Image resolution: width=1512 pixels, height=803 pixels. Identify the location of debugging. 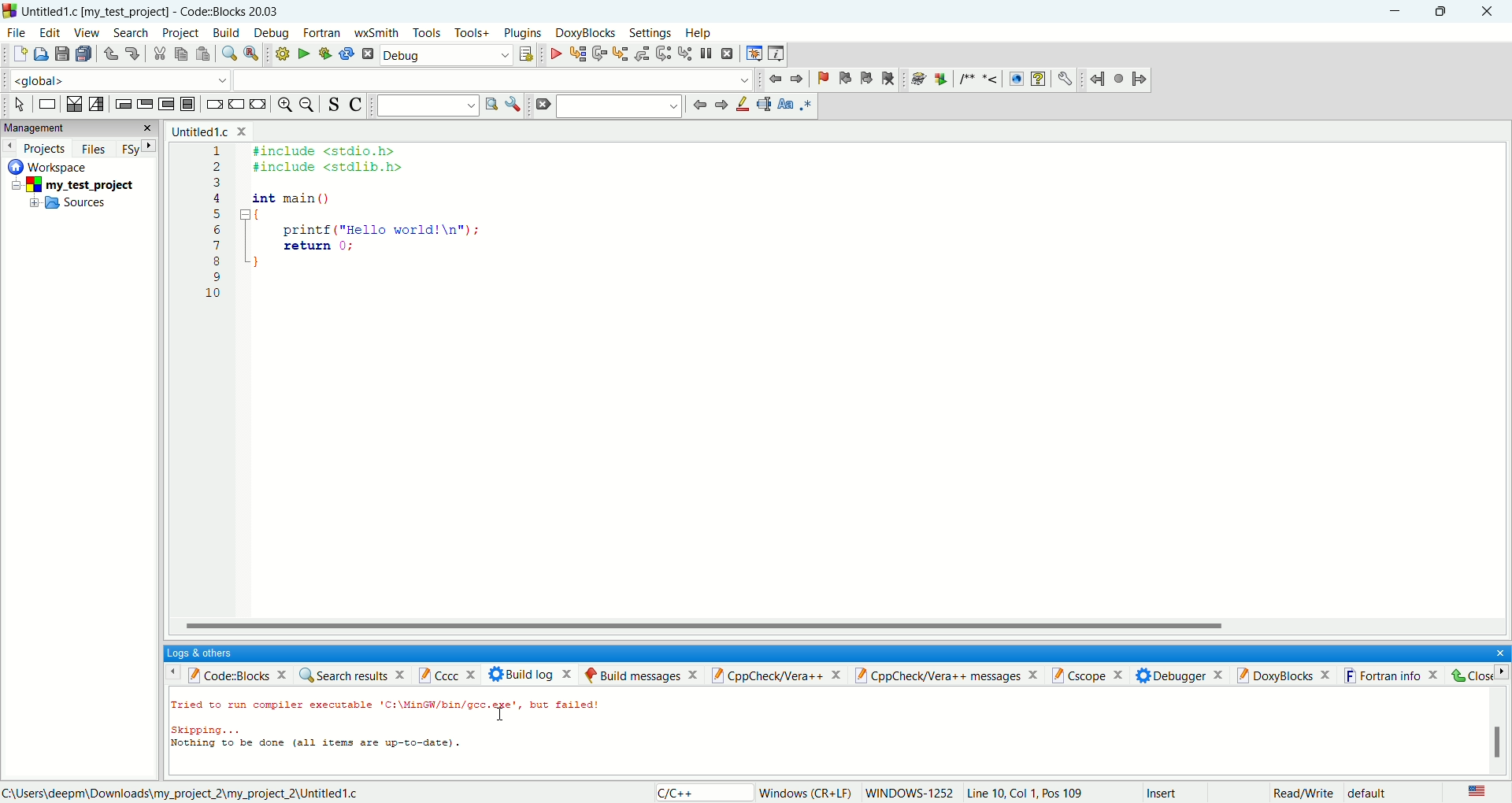
(753, 53).